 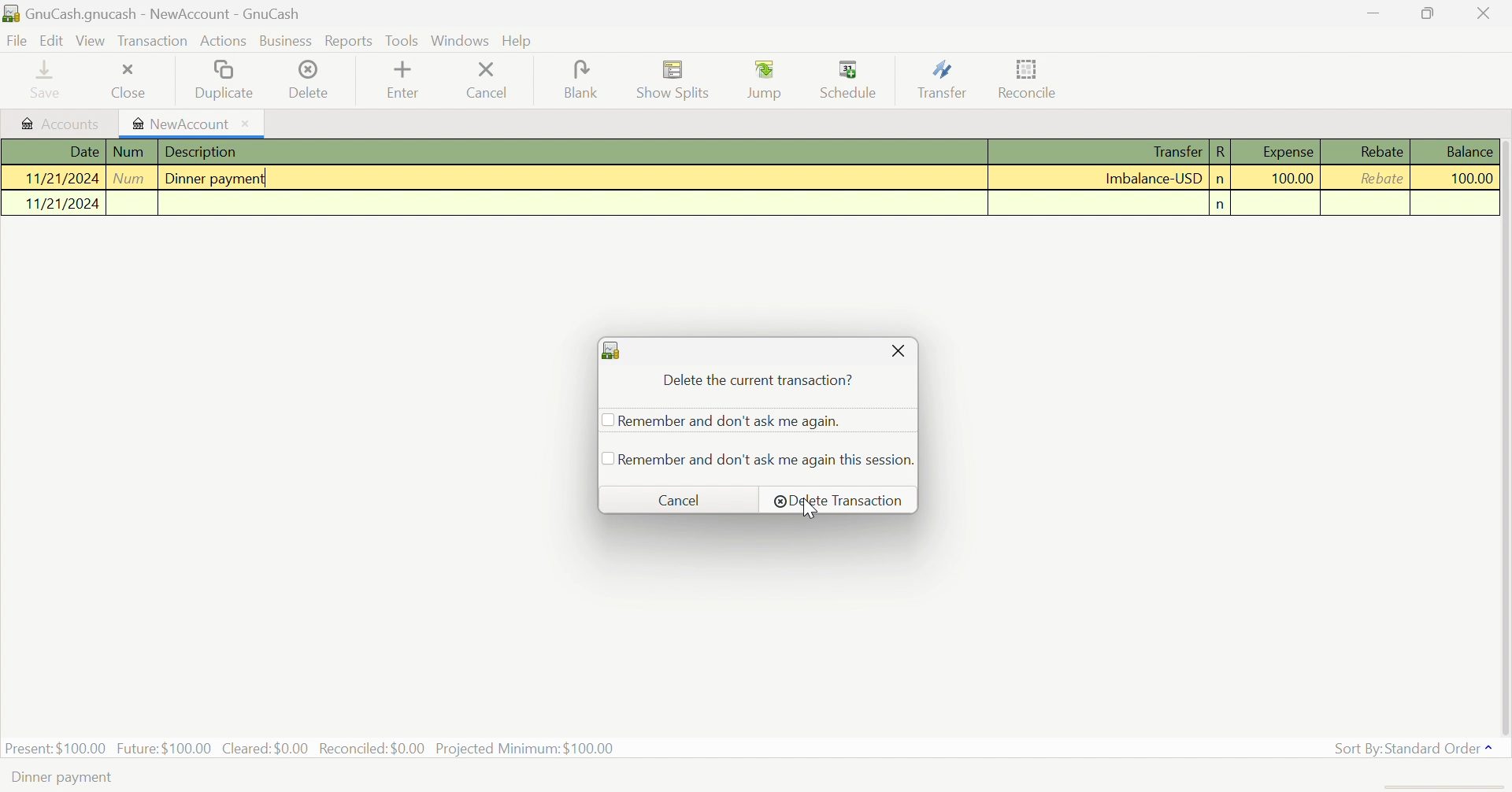 I want to click on Reconciled: $0.00, so click(x=372, y=749).